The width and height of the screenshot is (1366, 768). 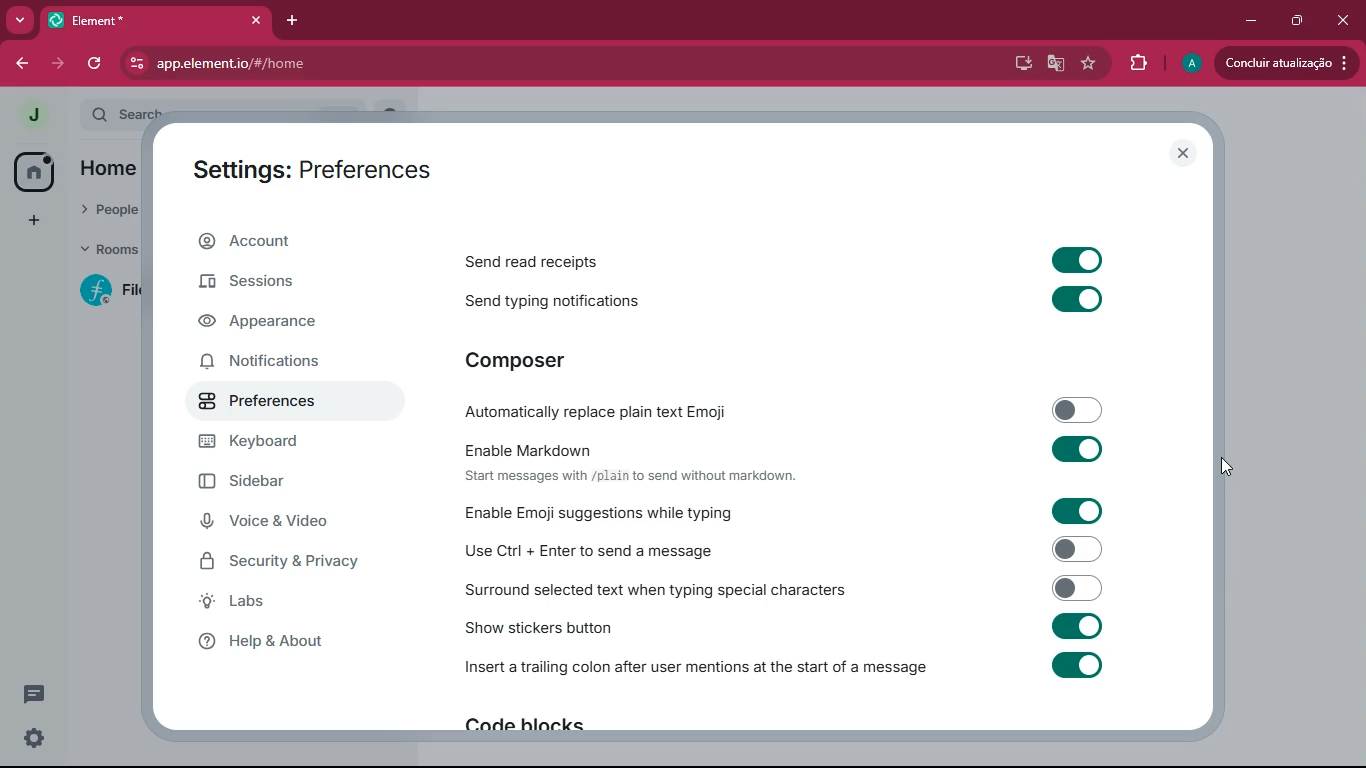 I want to click on composer , so click(x=528, y=361).